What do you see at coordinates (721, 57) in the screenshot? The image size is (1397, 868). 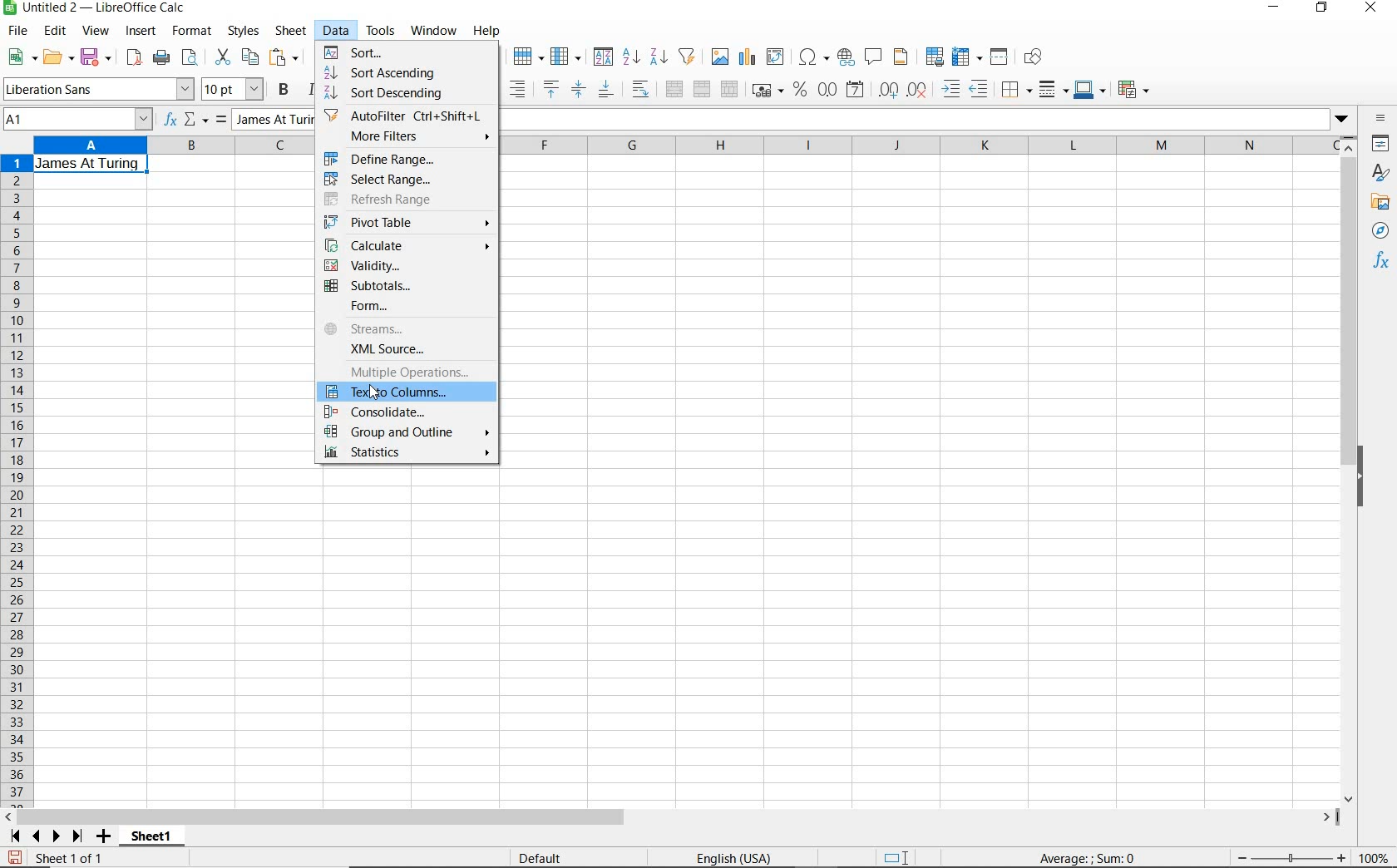 I see `insert image` at bounding box center [721, 57].